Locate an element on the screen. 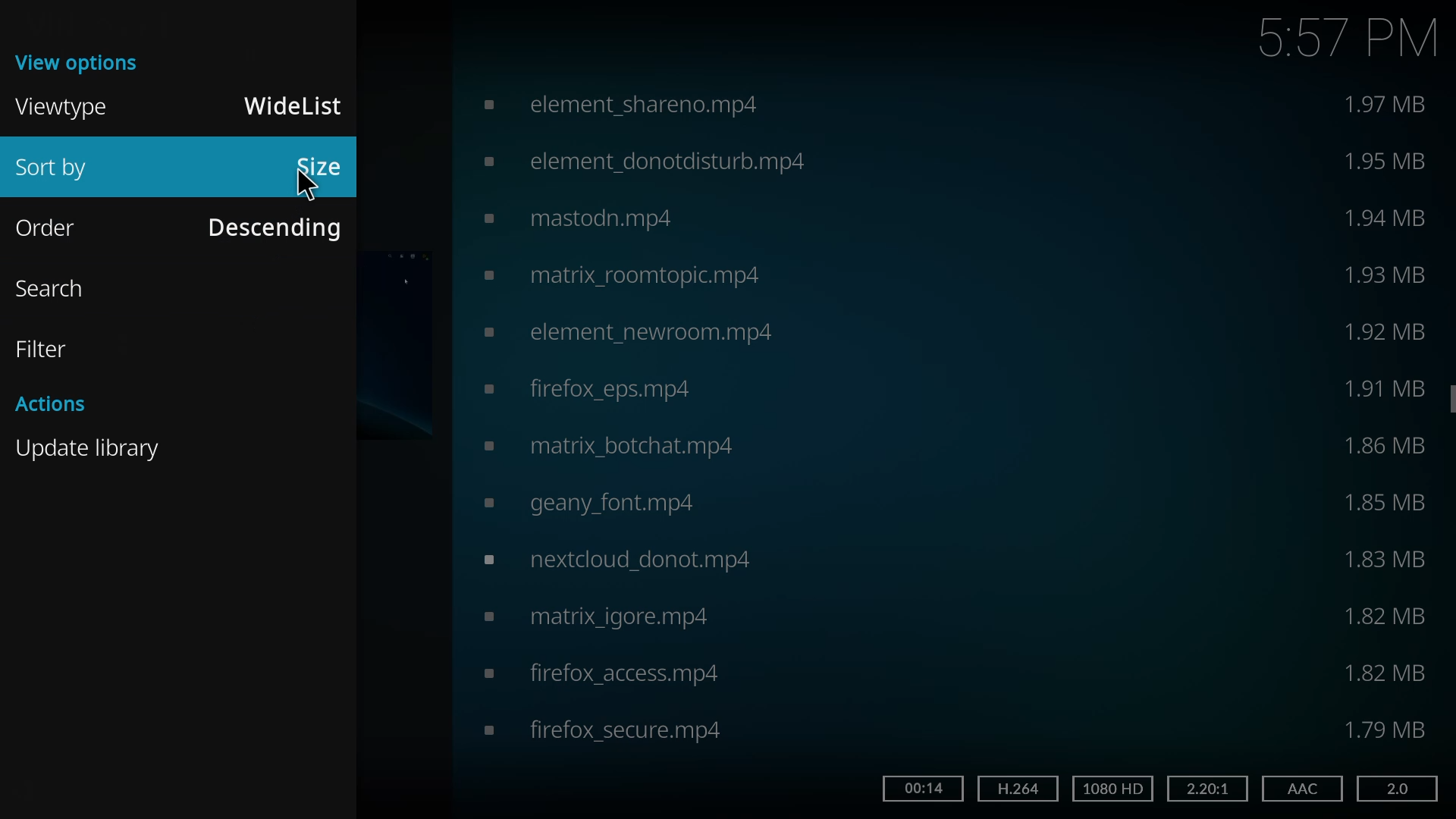 The height and width of the screenshot is (819, 1456). size is located at coordinates (1389, 728).